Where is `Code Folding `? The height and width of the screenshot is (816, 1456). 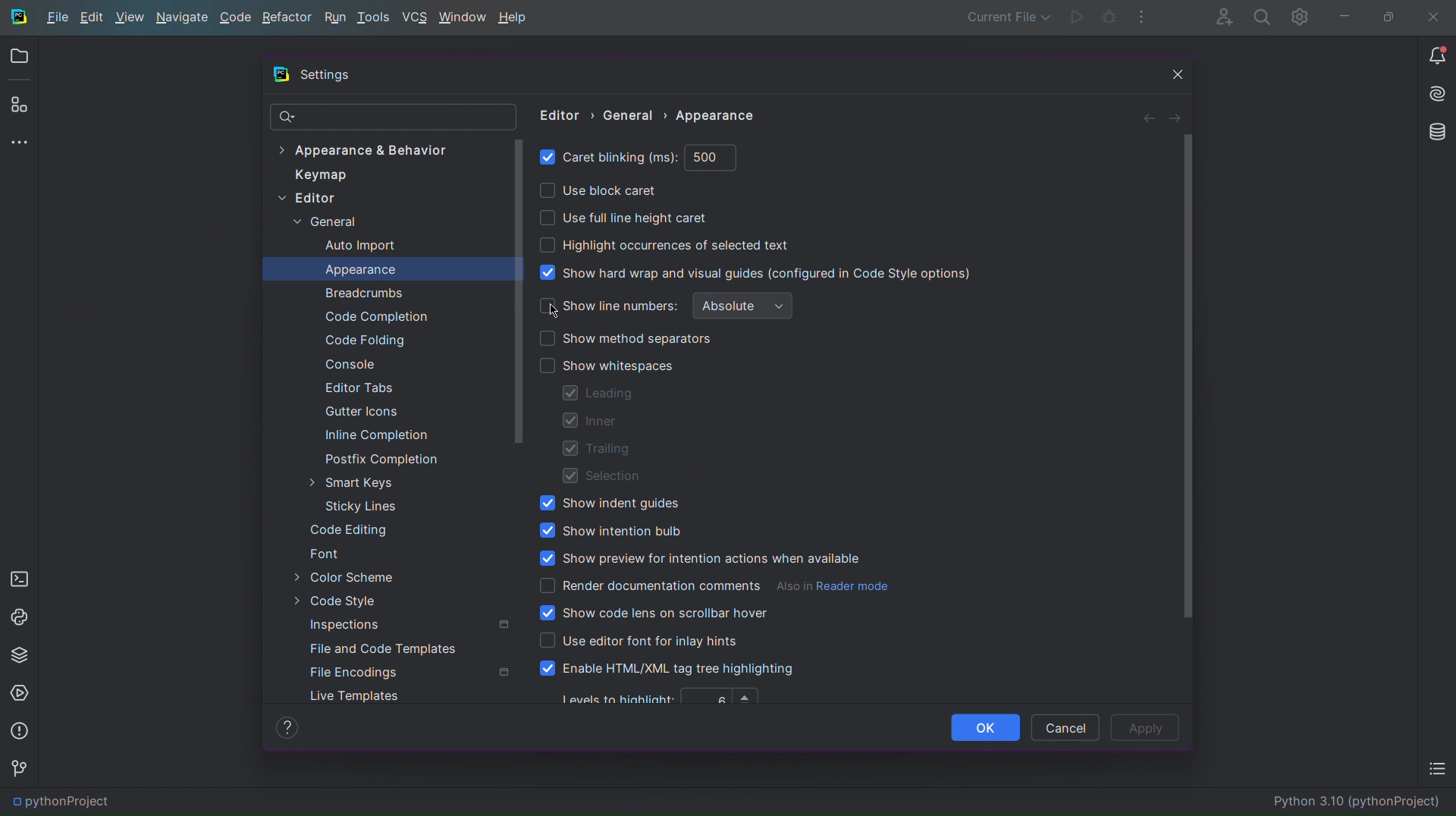
Code Folding  is located at coordinates (361, 341).